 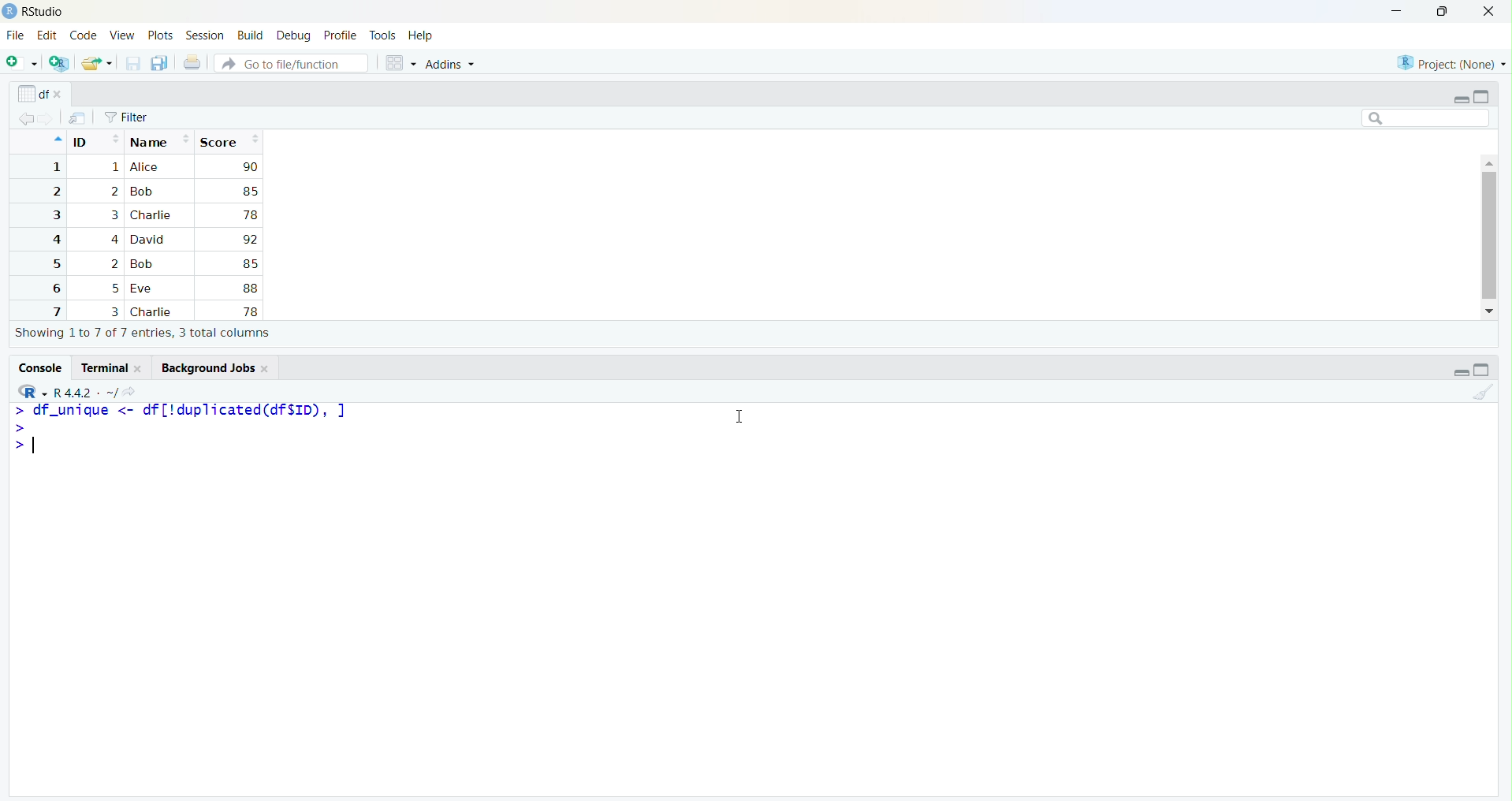 I want to click on Addins, so click(x=450, y=65).